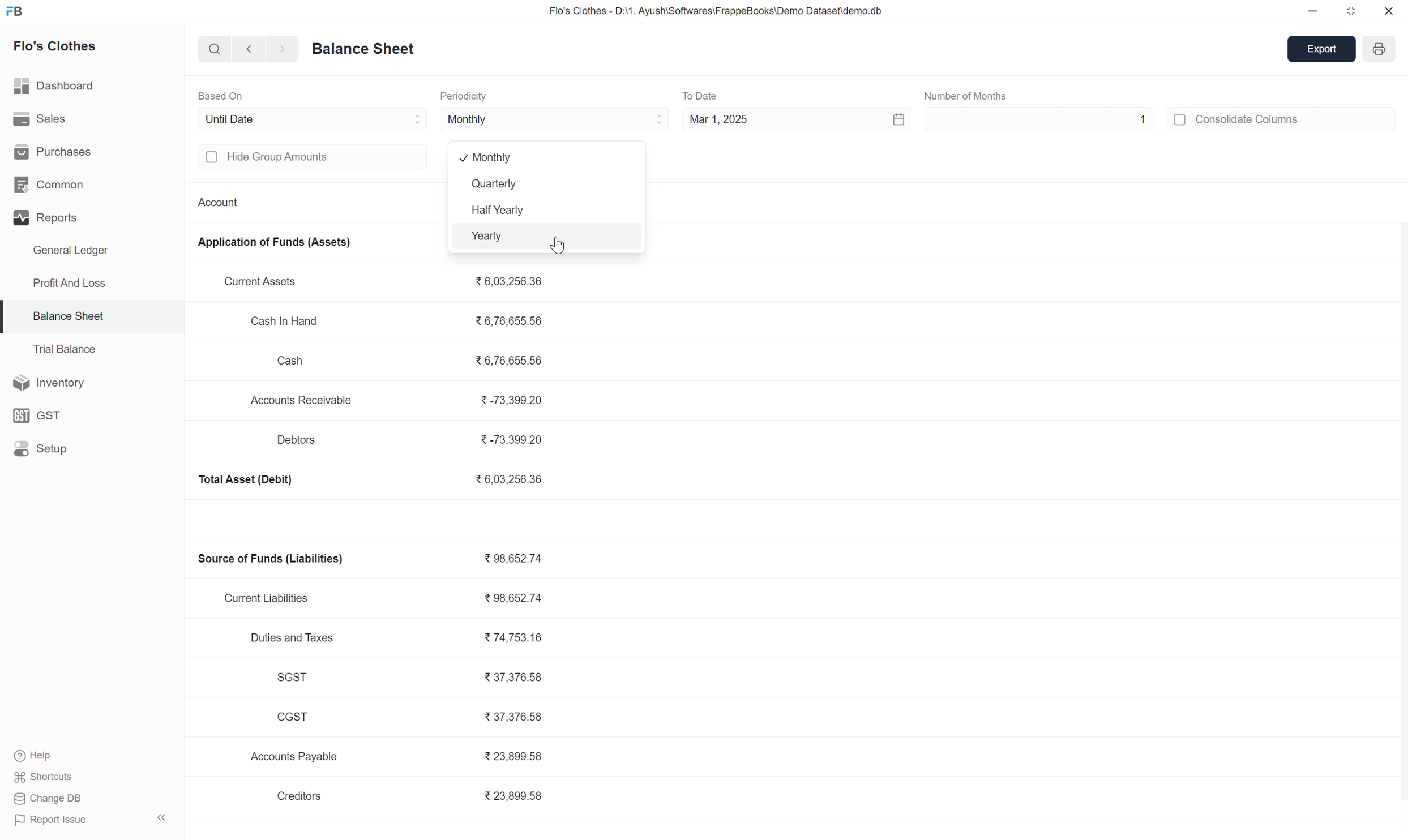  What do you see at coordinates (1180, 121) in the screenshot?
I see `off` at bounding box center [1180, 121].